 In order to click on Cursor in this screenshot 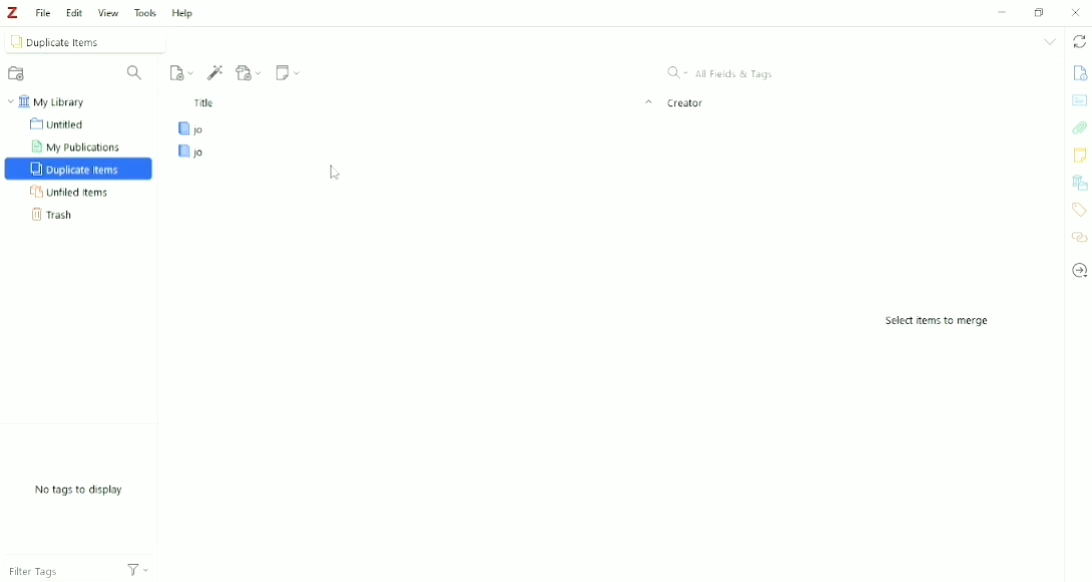, I will do `click(336, 173)`.